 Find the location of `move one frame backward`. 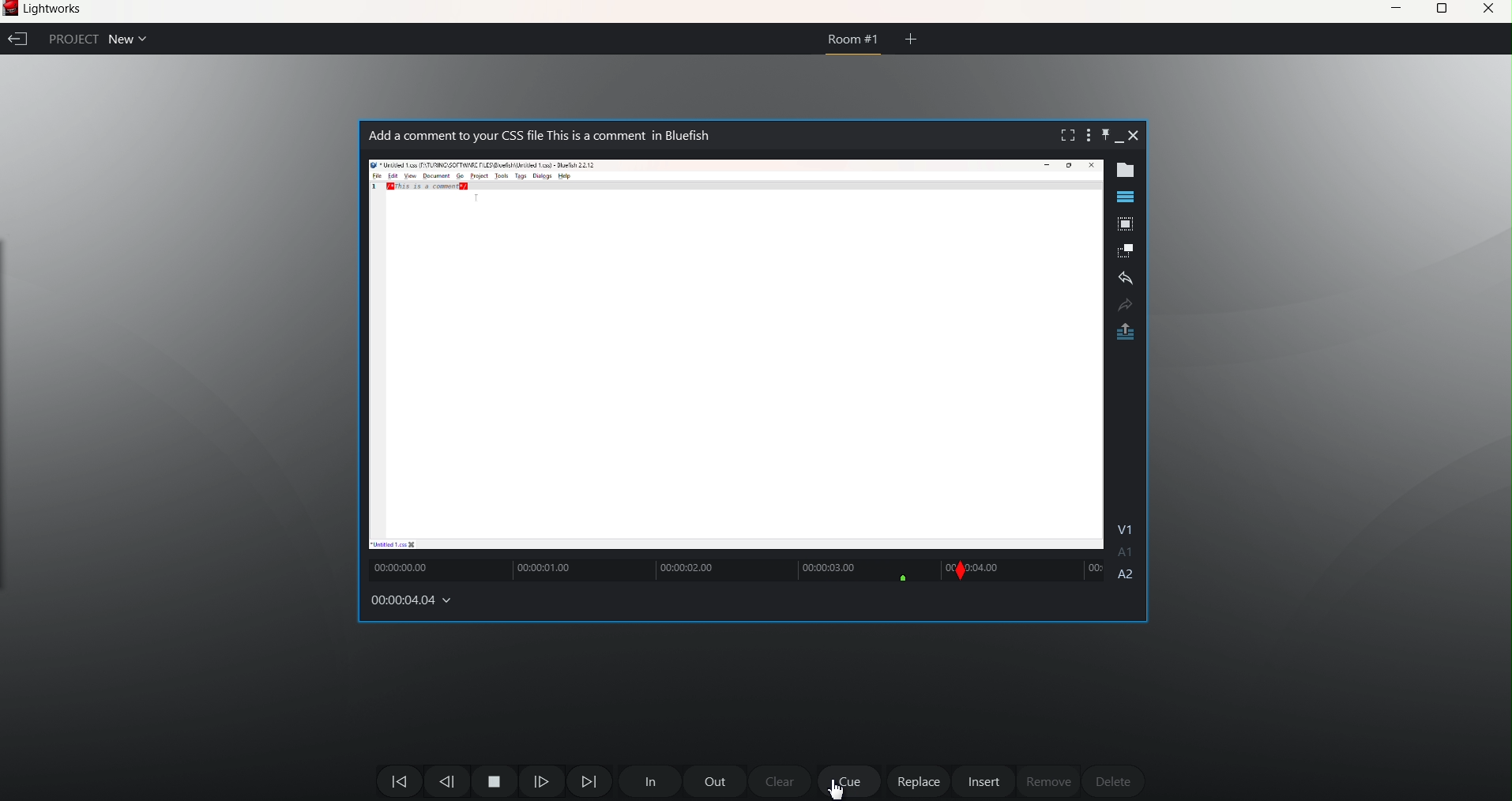

move one frame backward is located at coordinates (446, 783).